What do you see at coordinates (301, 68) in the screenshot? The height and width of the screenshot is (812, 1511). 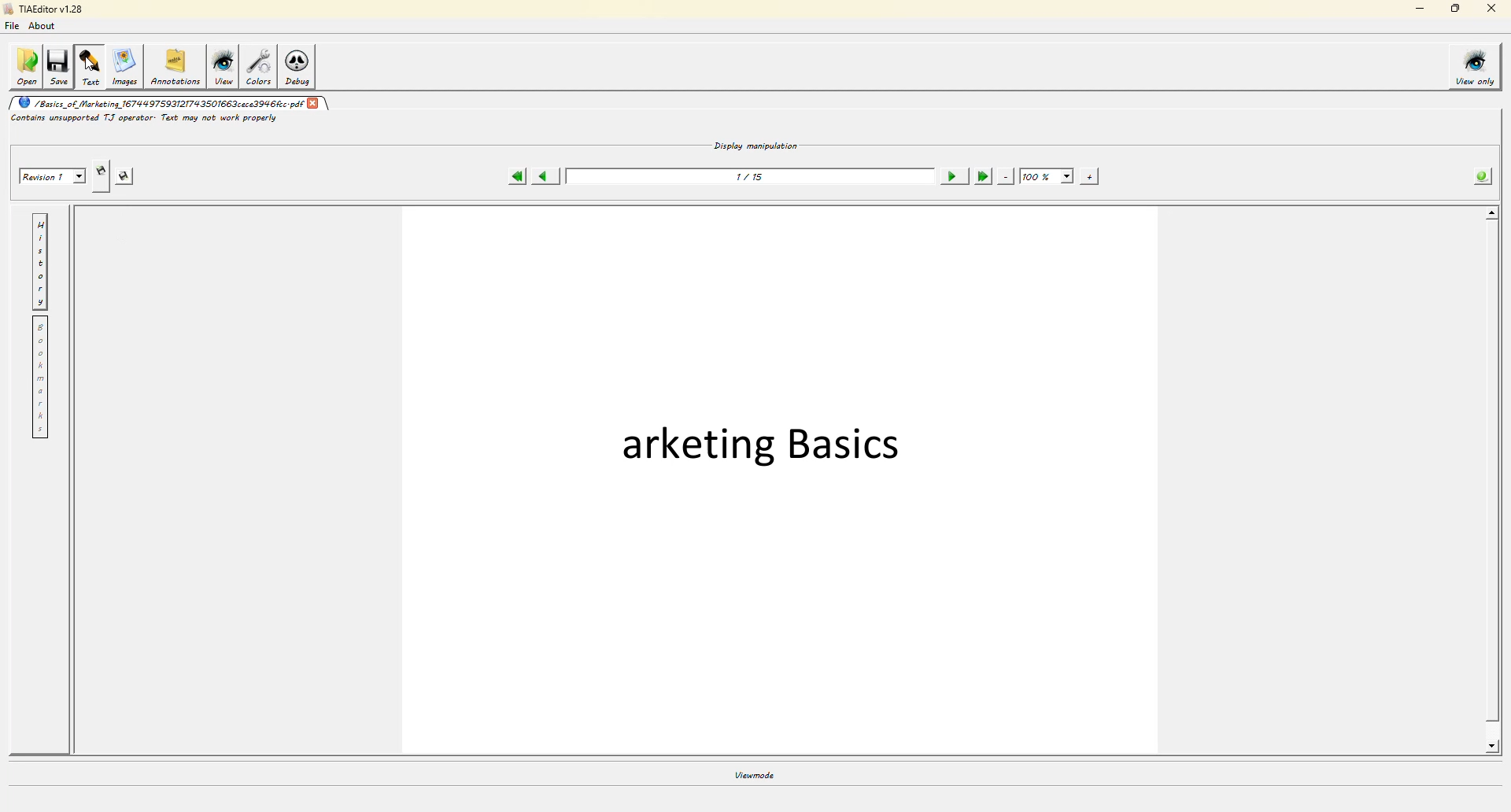 I see `debug` at bounding box center [301, 68].